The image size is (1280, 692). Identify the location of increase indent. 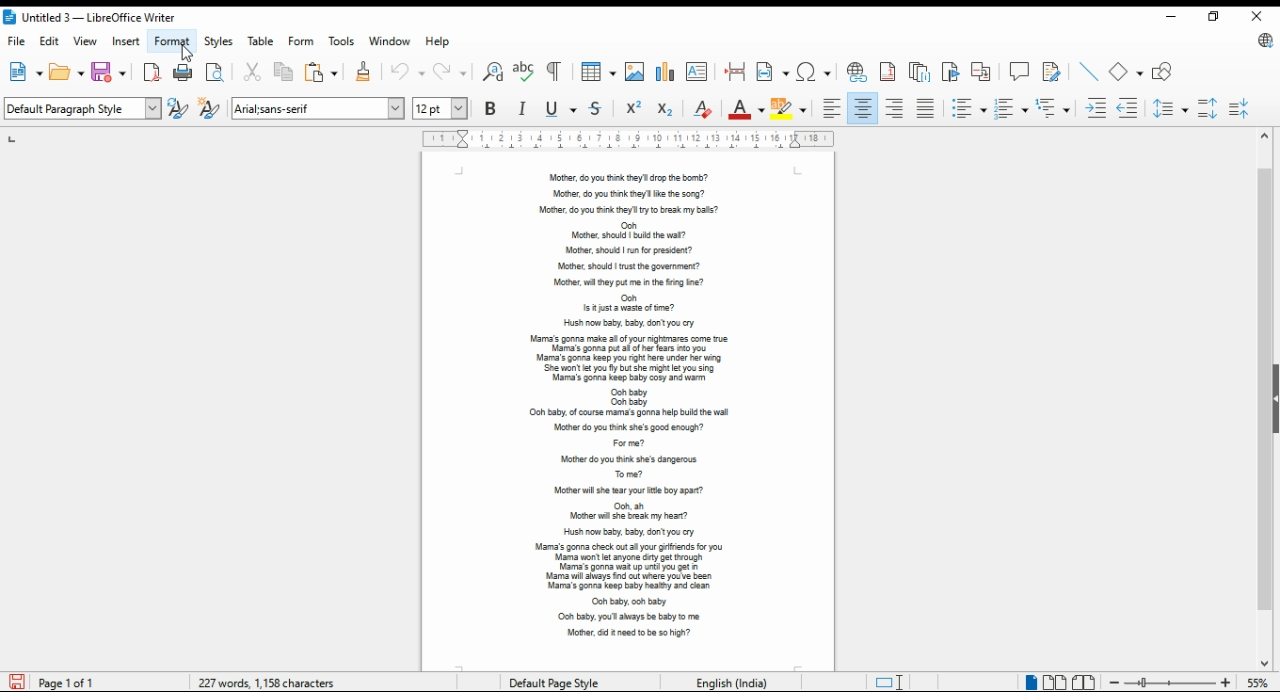
(1095, 108).